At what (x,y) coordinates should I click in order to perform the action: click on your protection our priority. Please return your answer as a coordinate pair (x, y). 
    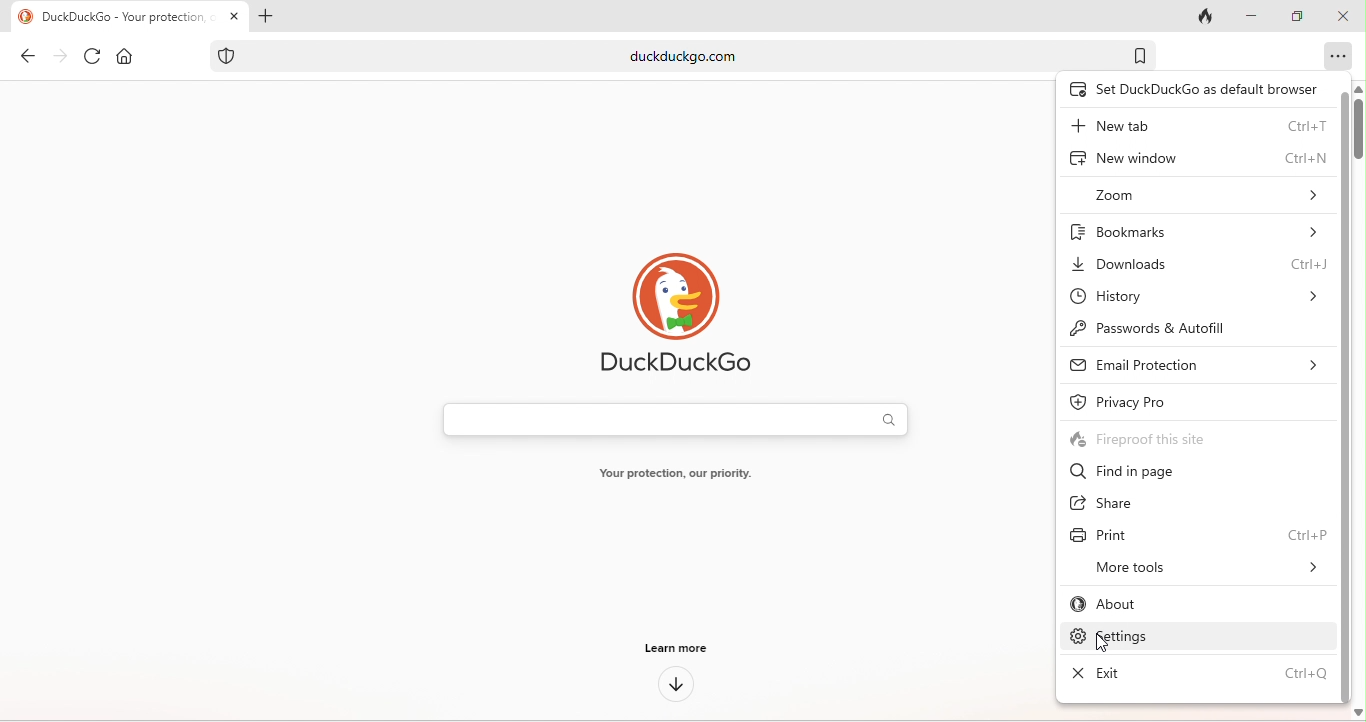
    Looking at the image, I should click on (683, 475).